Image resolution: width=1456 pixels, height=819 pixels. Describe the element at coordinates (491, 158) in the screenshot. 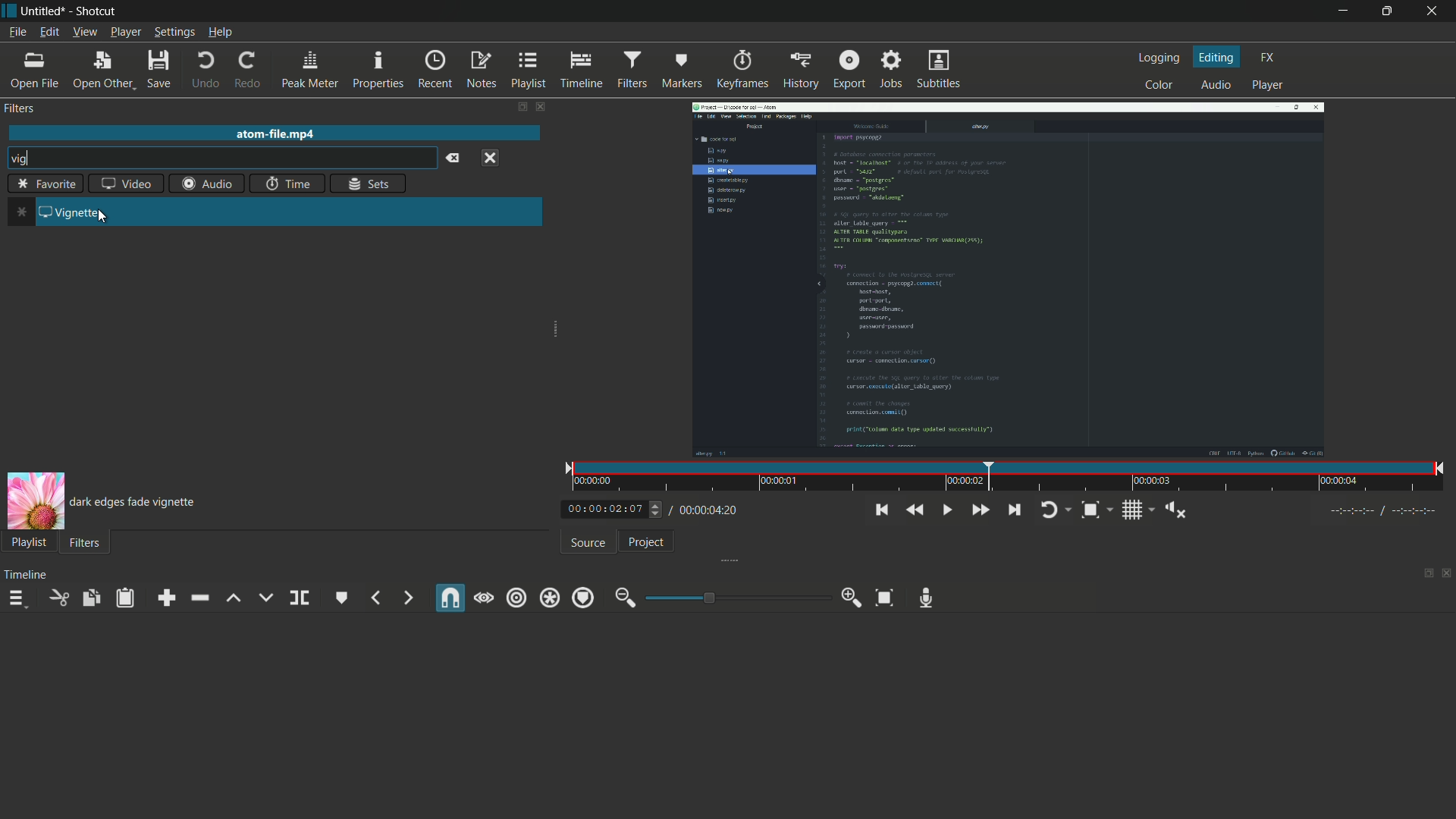

I see `close menu` at that location.